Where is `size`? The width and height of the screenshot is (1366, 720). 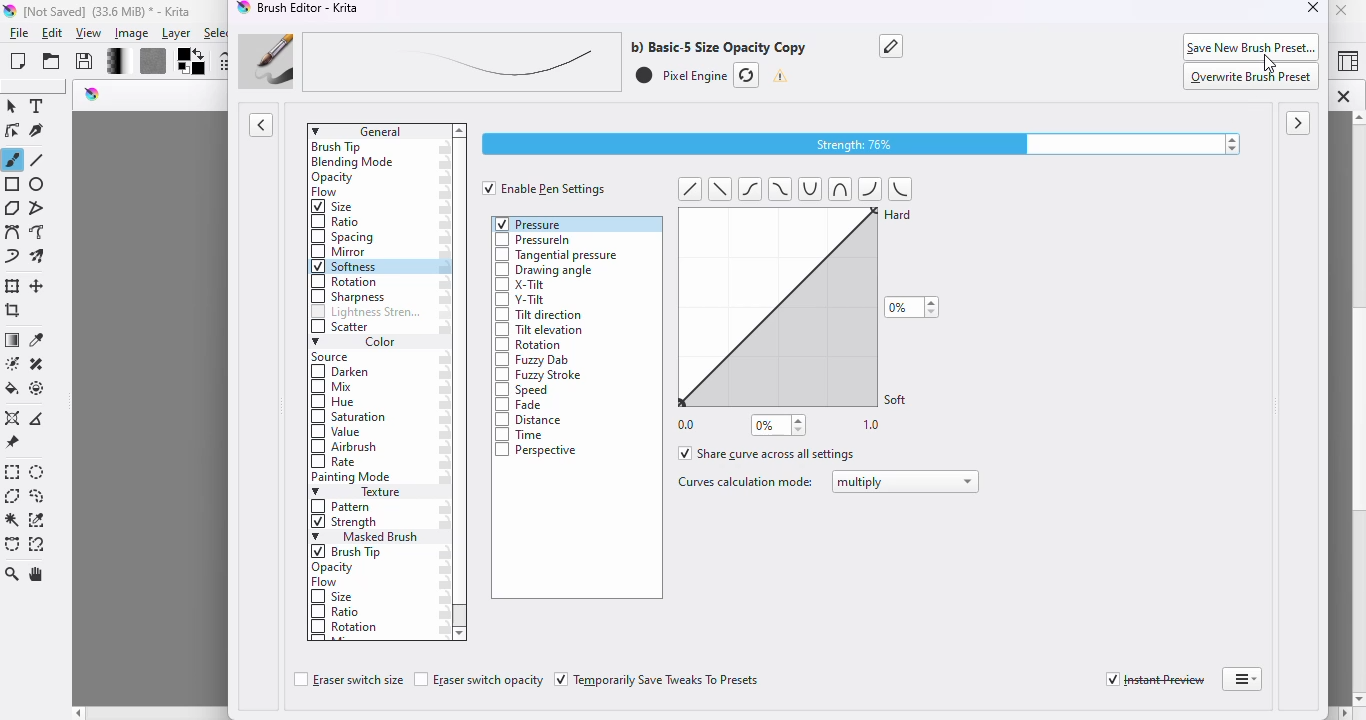 size is located at coordinates (334, 207).